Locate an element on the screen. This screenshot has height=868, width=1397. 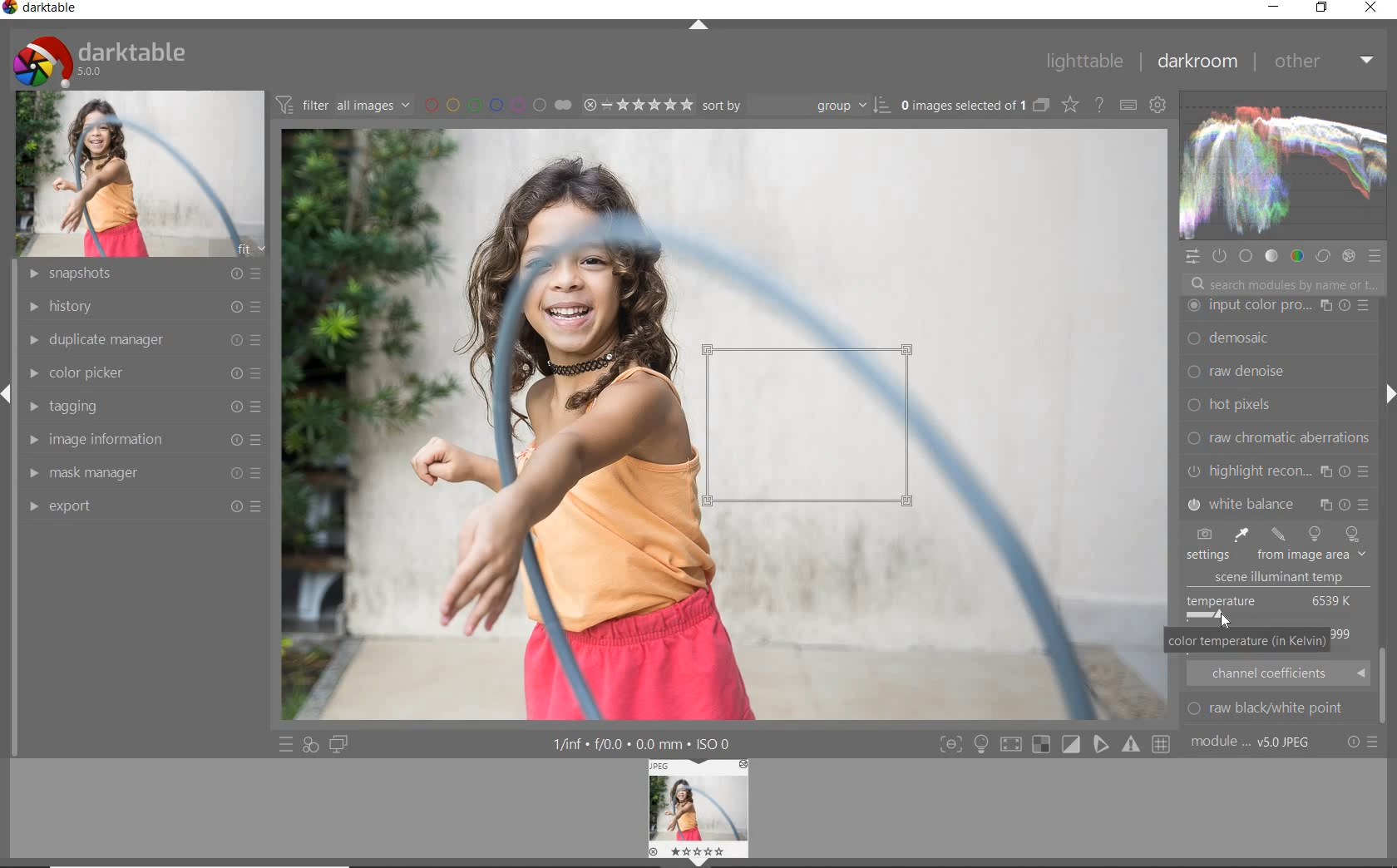
mask manager is located at coordinates (142, 469).